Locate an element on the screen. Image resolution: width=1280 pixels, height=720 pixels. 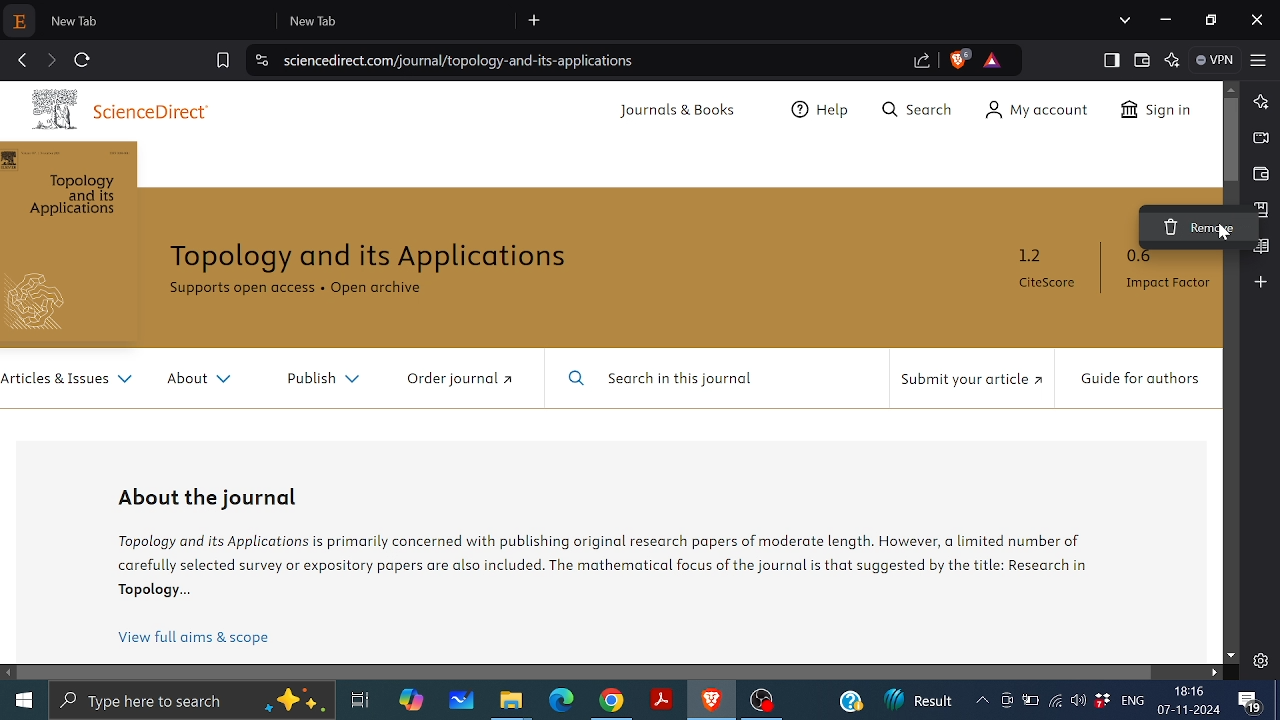
Chrome is located at coordinates (611, 703).